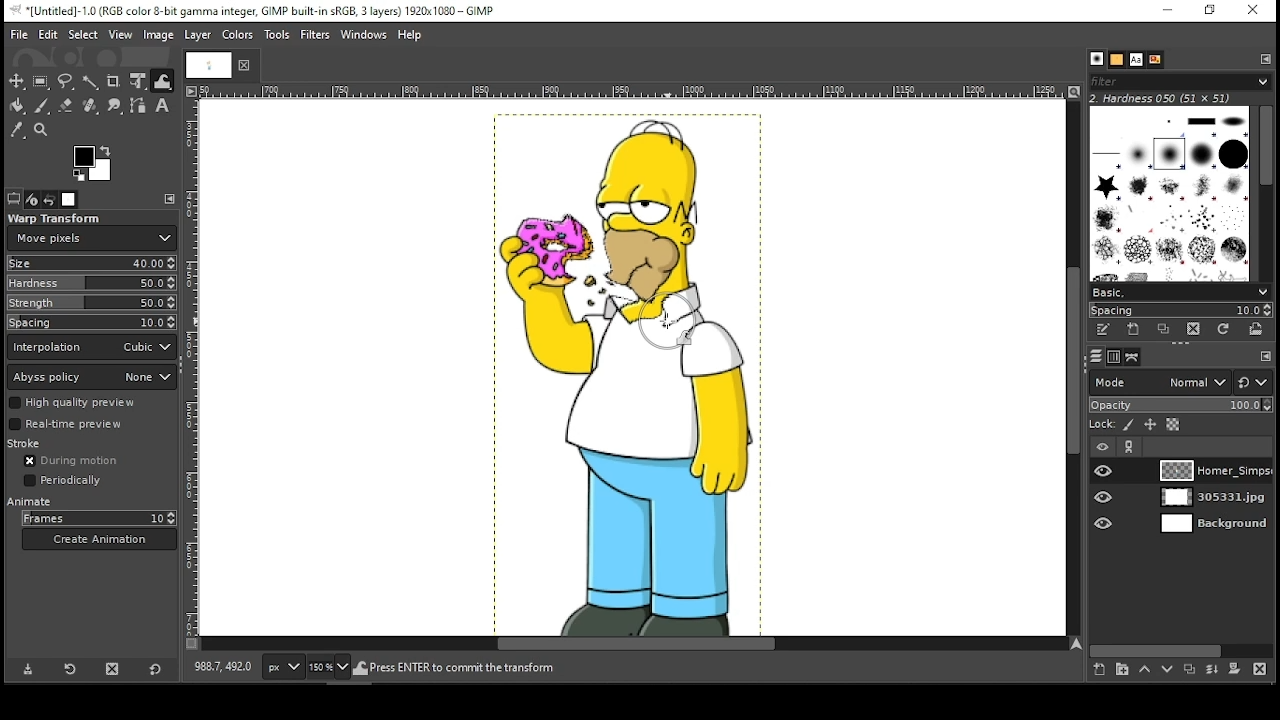  I want to click on create a new brush, so click(1135, 330).